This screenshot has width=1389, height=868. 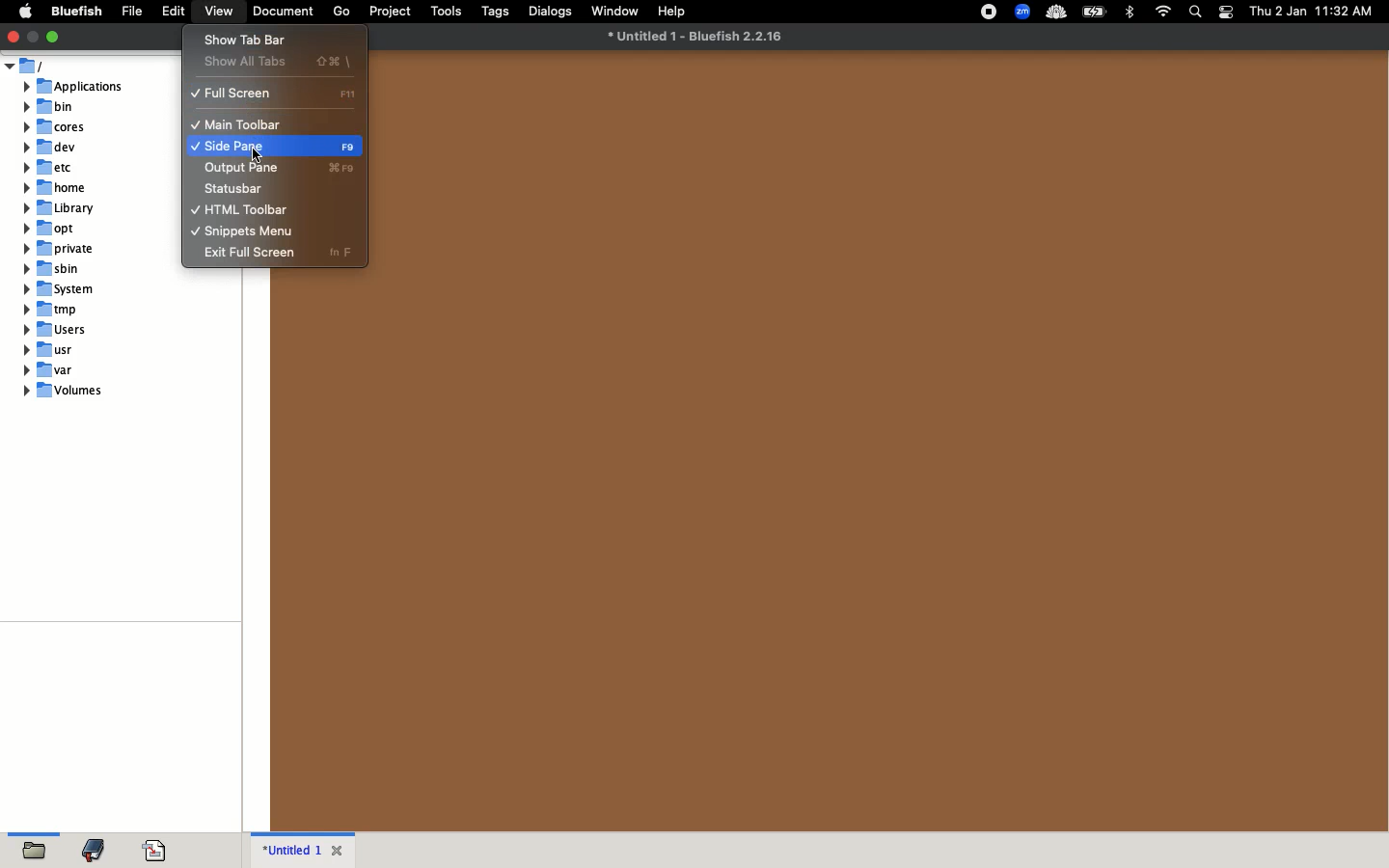 I want to click on output pane, so click(x=283, y=168).